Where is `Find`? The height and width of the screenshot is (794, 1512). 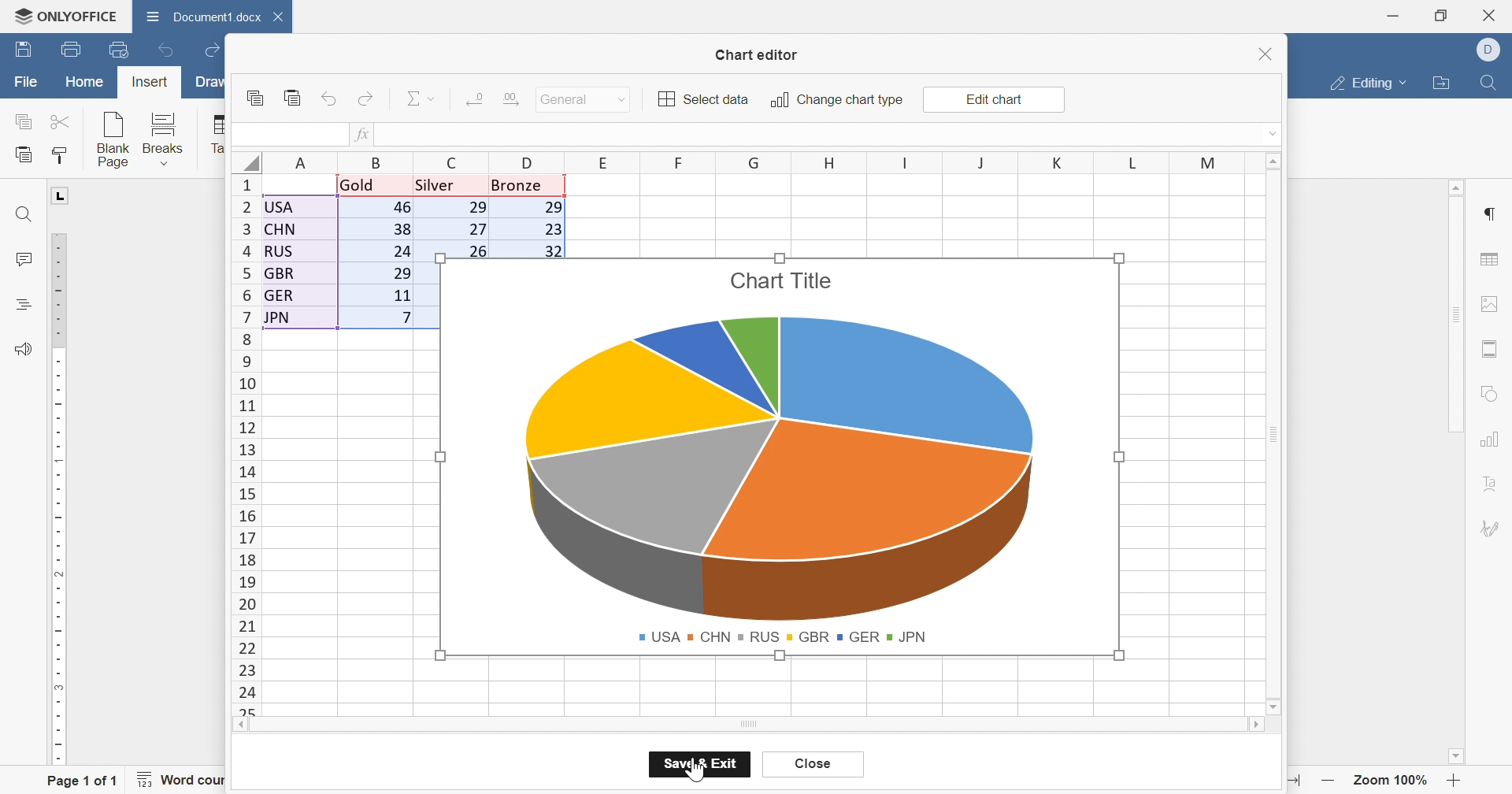 Find is located at coordinates (1492, 83).